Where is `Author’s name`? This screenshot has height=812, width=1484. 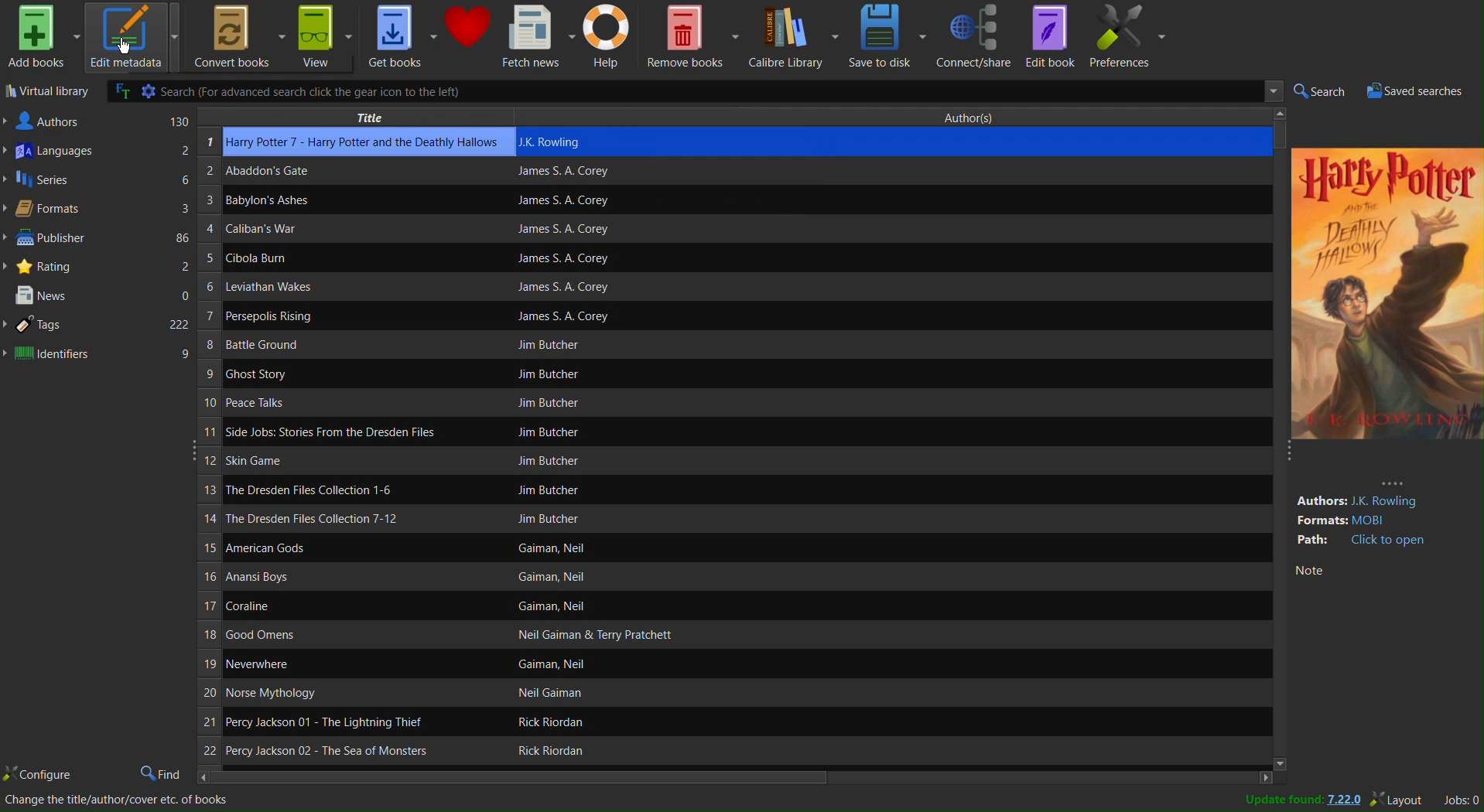 Author’s name is located at coordinates (694, 490).